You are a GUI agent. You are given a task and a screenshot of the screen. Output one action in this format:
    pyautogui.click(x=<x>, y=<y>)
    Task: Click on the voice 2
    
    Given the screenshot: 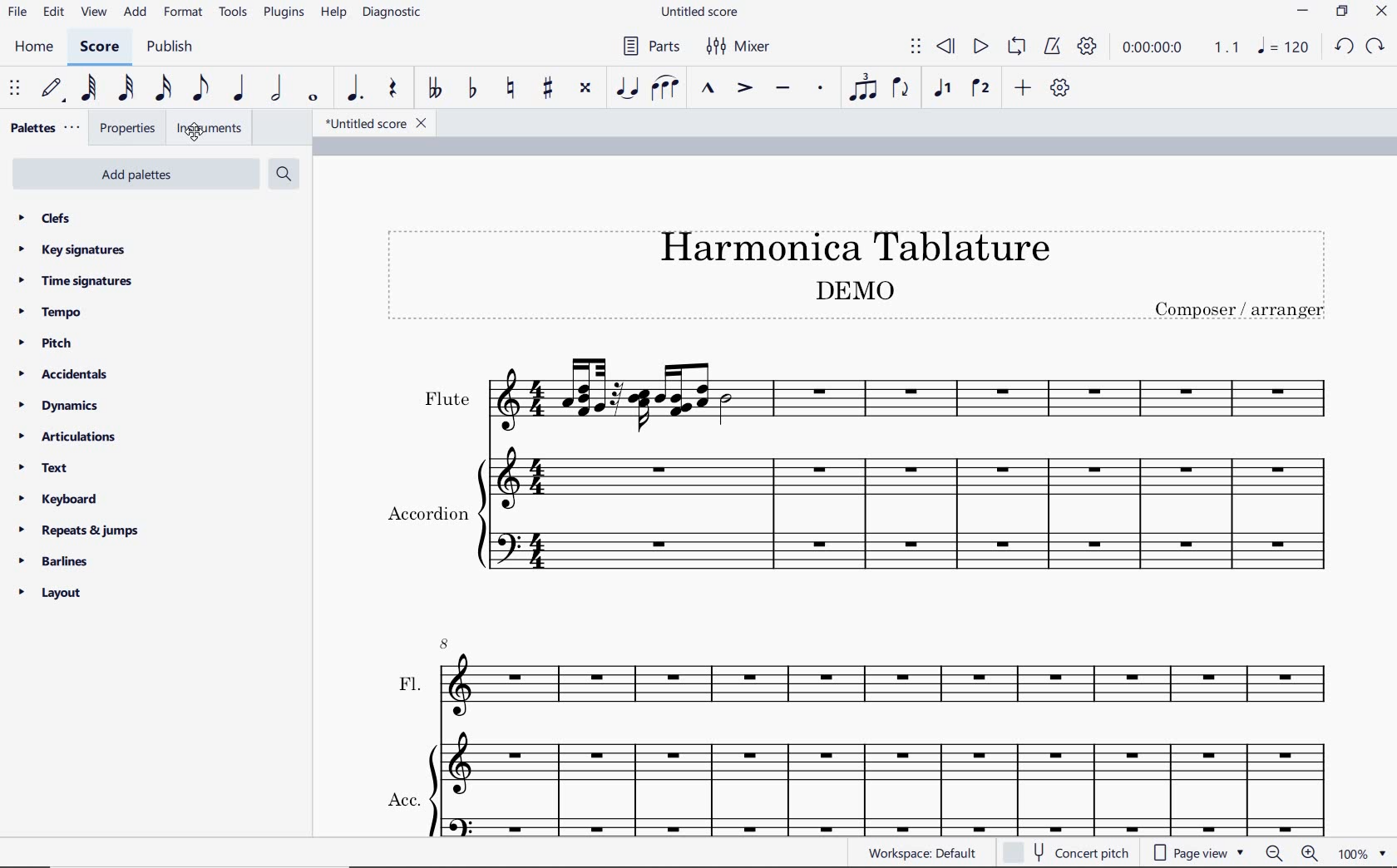 What is the action you would take?
    pyautogui.click(x=980, y=89)
    